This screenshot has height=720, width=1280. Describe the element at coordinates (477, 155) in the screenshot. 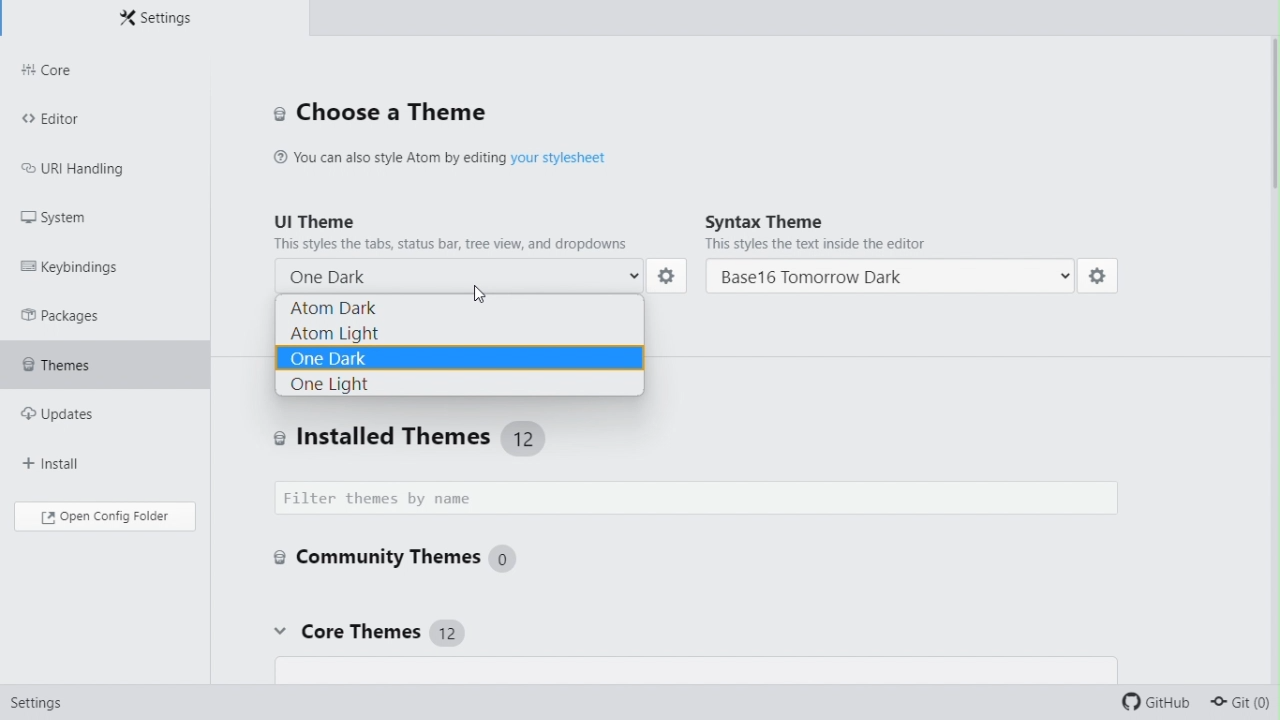

I see `you can also style atom by editing your stylesheet` at that location.